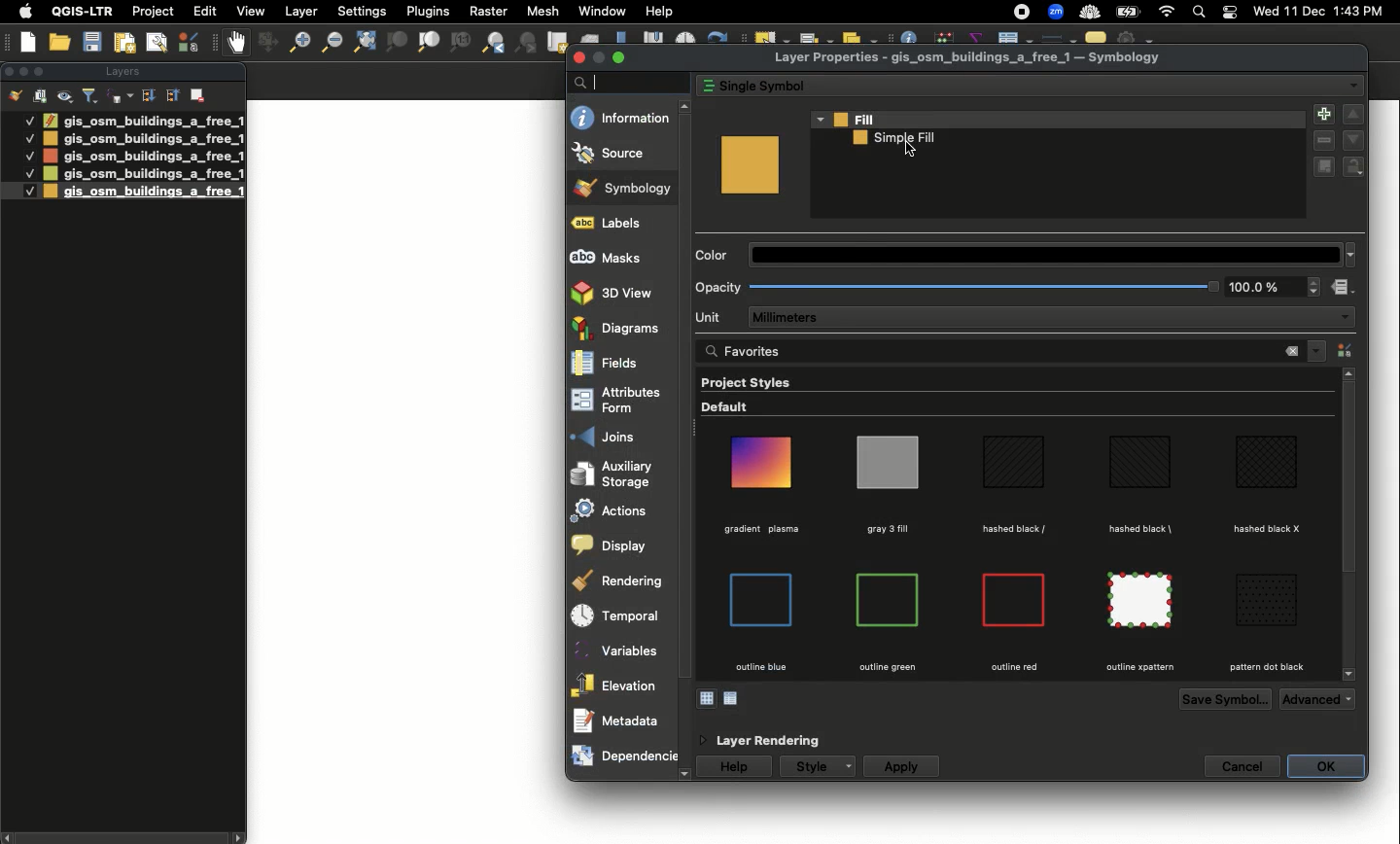 Image resolution: width=1400 pixels, height=844 pixels. I want to click on , so click(1137, 601).